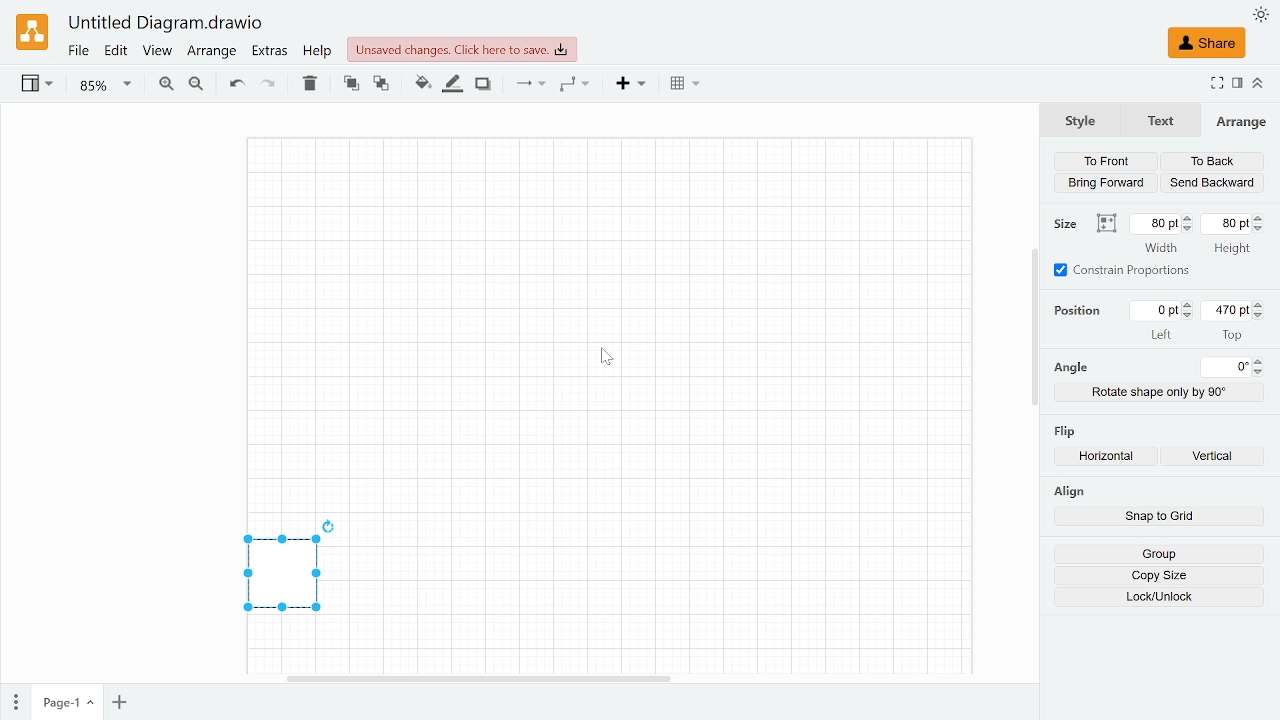  What do you see at coordinates (1156, 223) in the screenshot?
I see `Current width` at bounding box center [1156, 223].